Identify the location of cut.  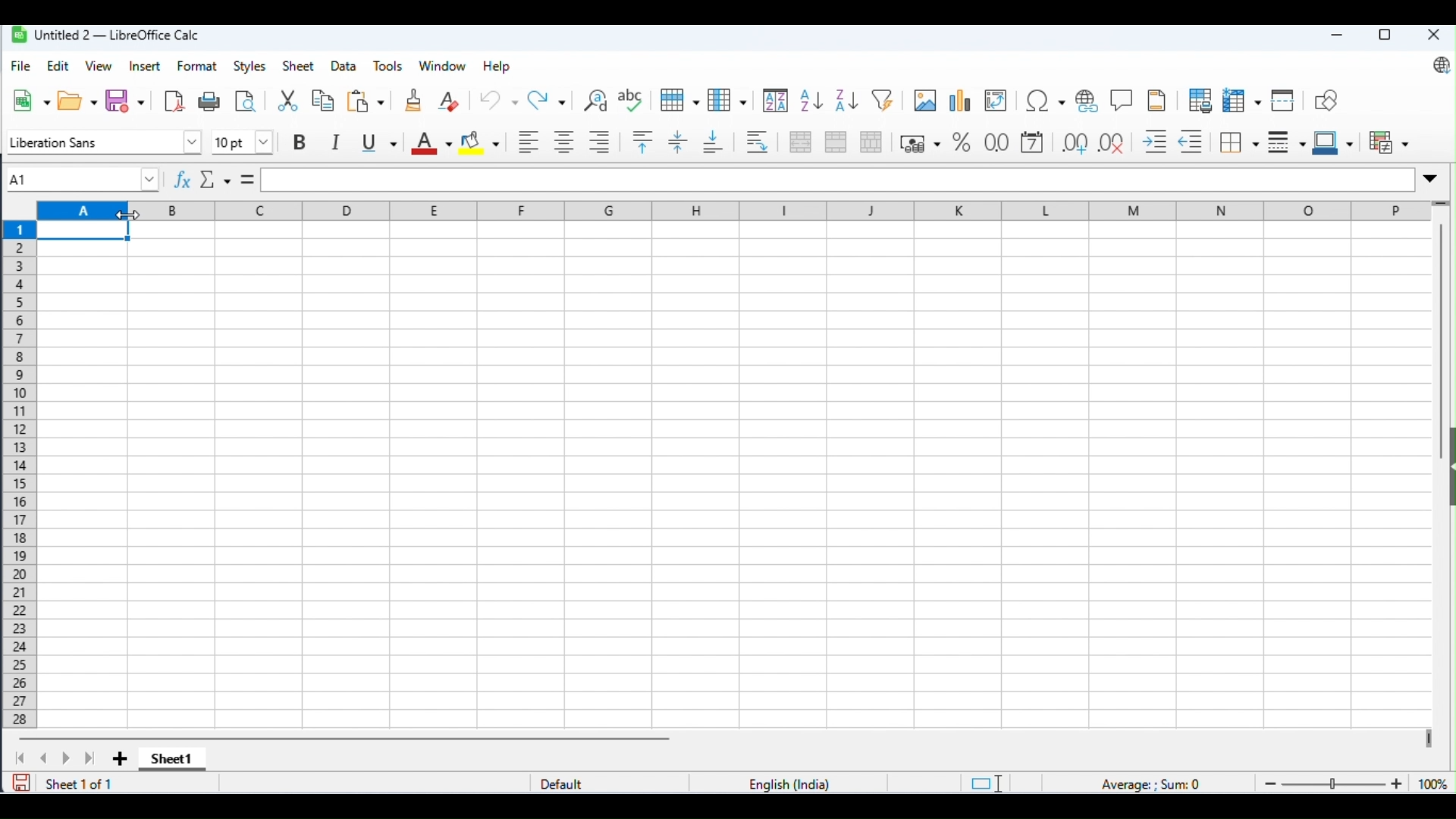
(287, 100).